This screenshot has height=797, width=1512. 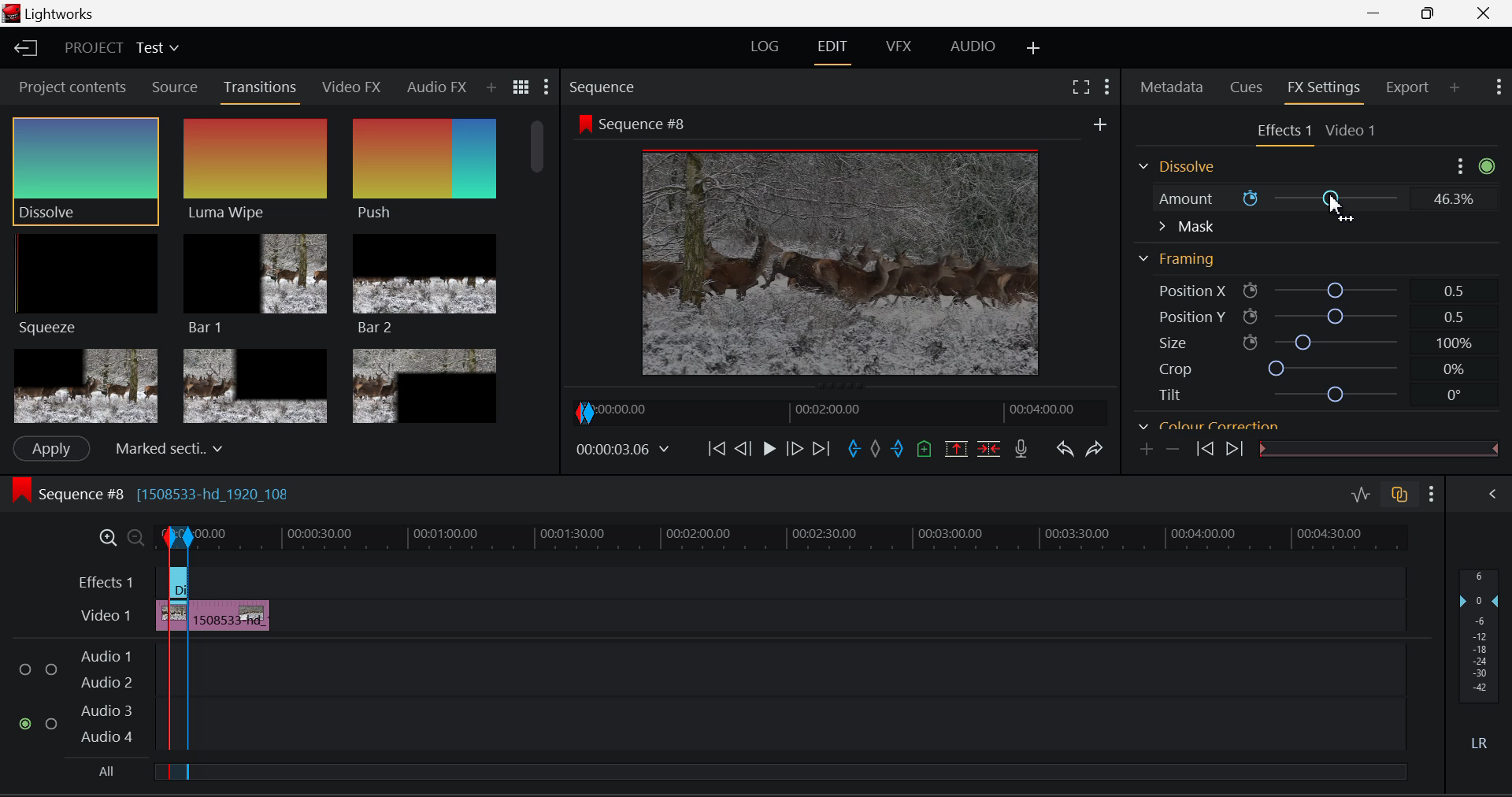 What do you see at coordinates (1379, 13) in the screenshot?
I see `Restore Down` at bounding box center [1379, 13].